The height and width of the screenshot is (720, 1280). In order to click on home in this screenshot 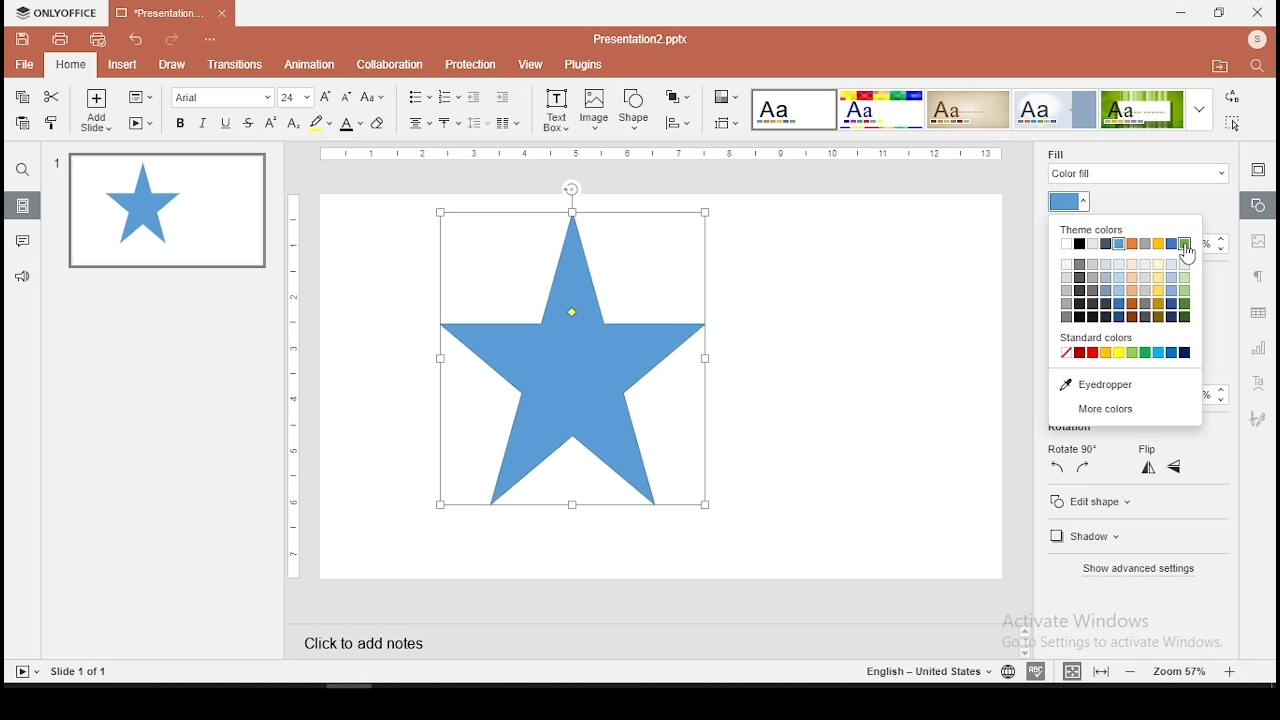, I will do `click(71, 66)`.